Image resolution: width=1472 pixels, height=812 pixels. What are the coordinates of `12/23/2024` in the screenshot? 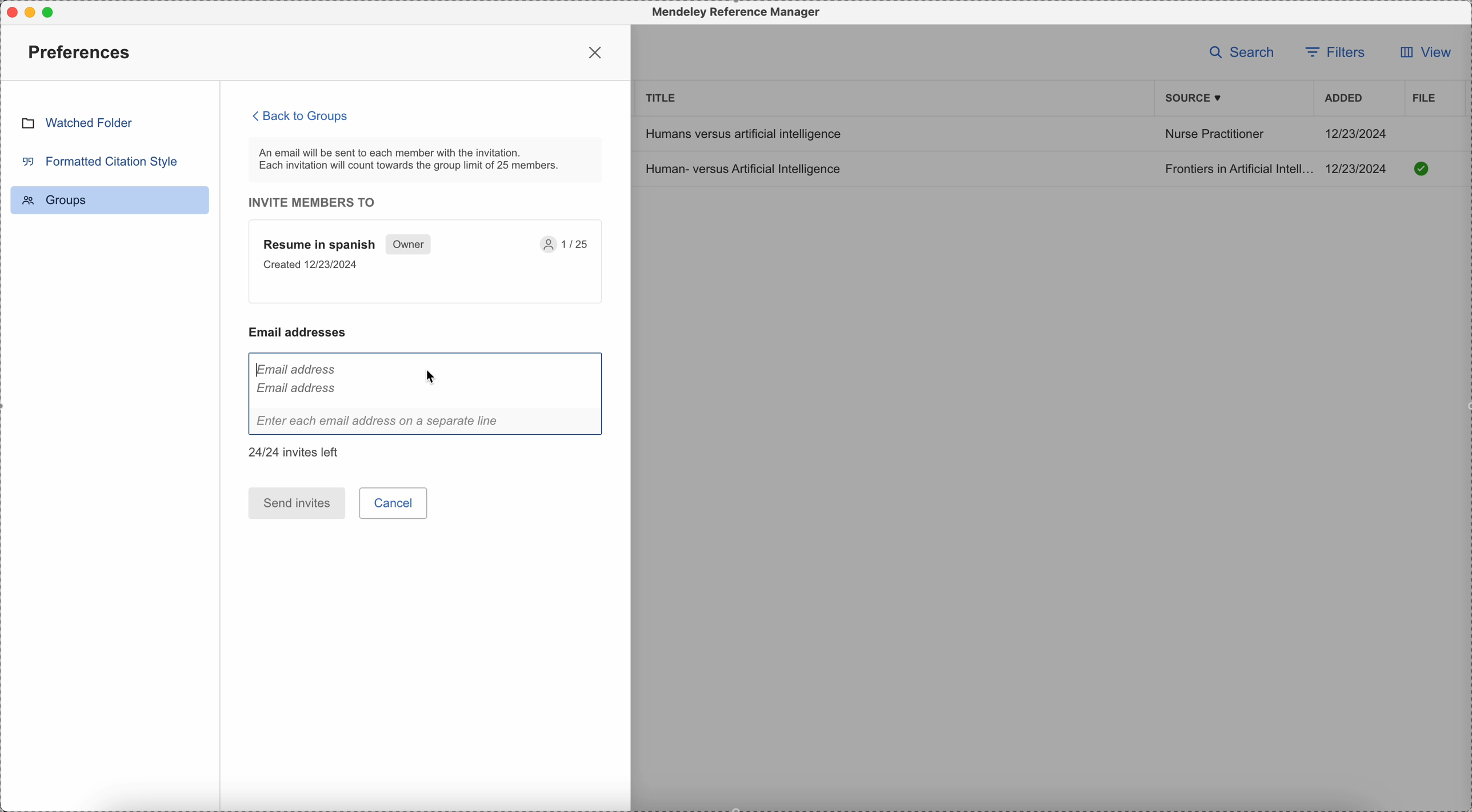 It's located at (1360, 169).